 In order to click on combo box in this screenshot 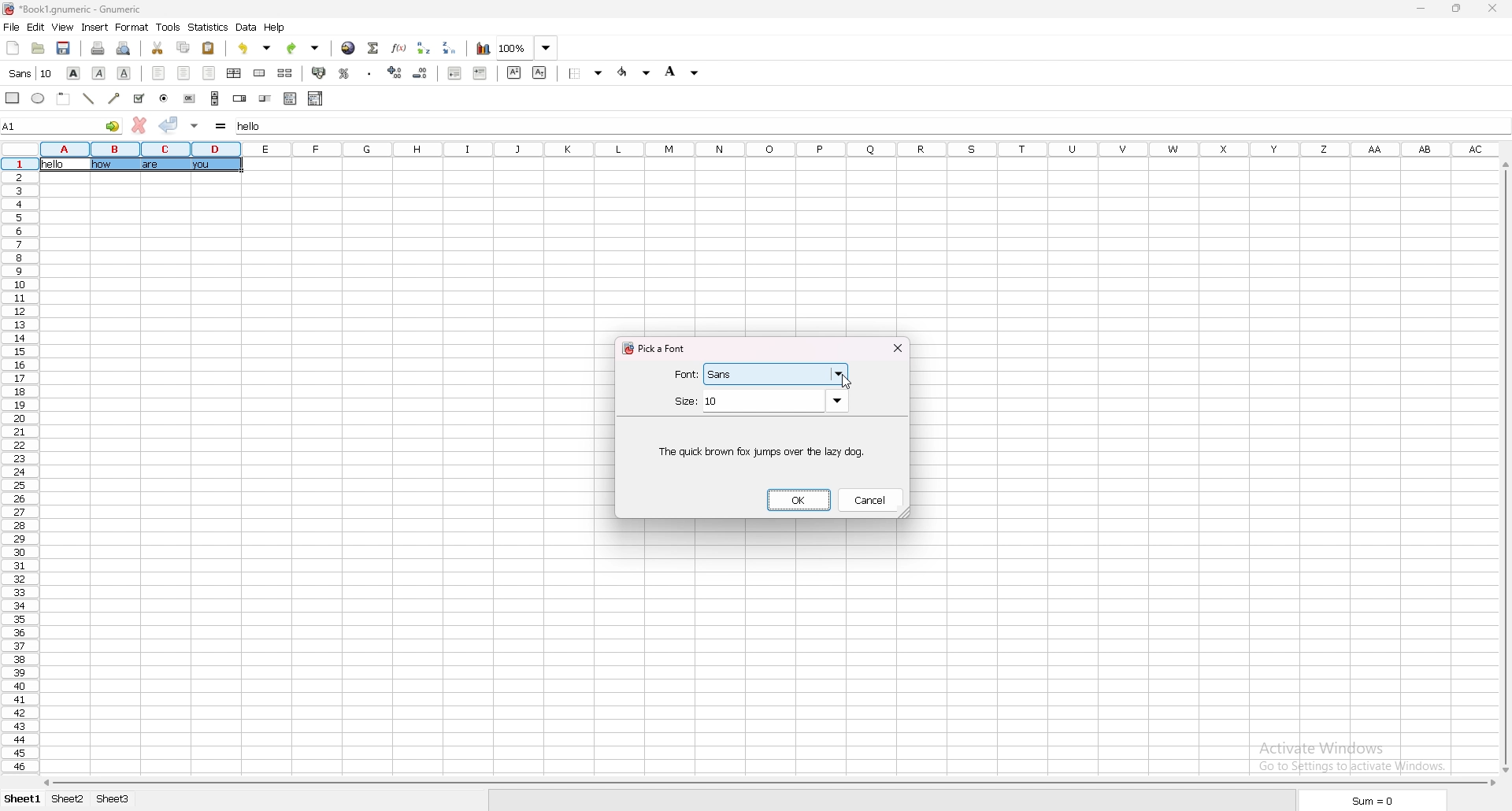, I will do `click(316, 98)`.